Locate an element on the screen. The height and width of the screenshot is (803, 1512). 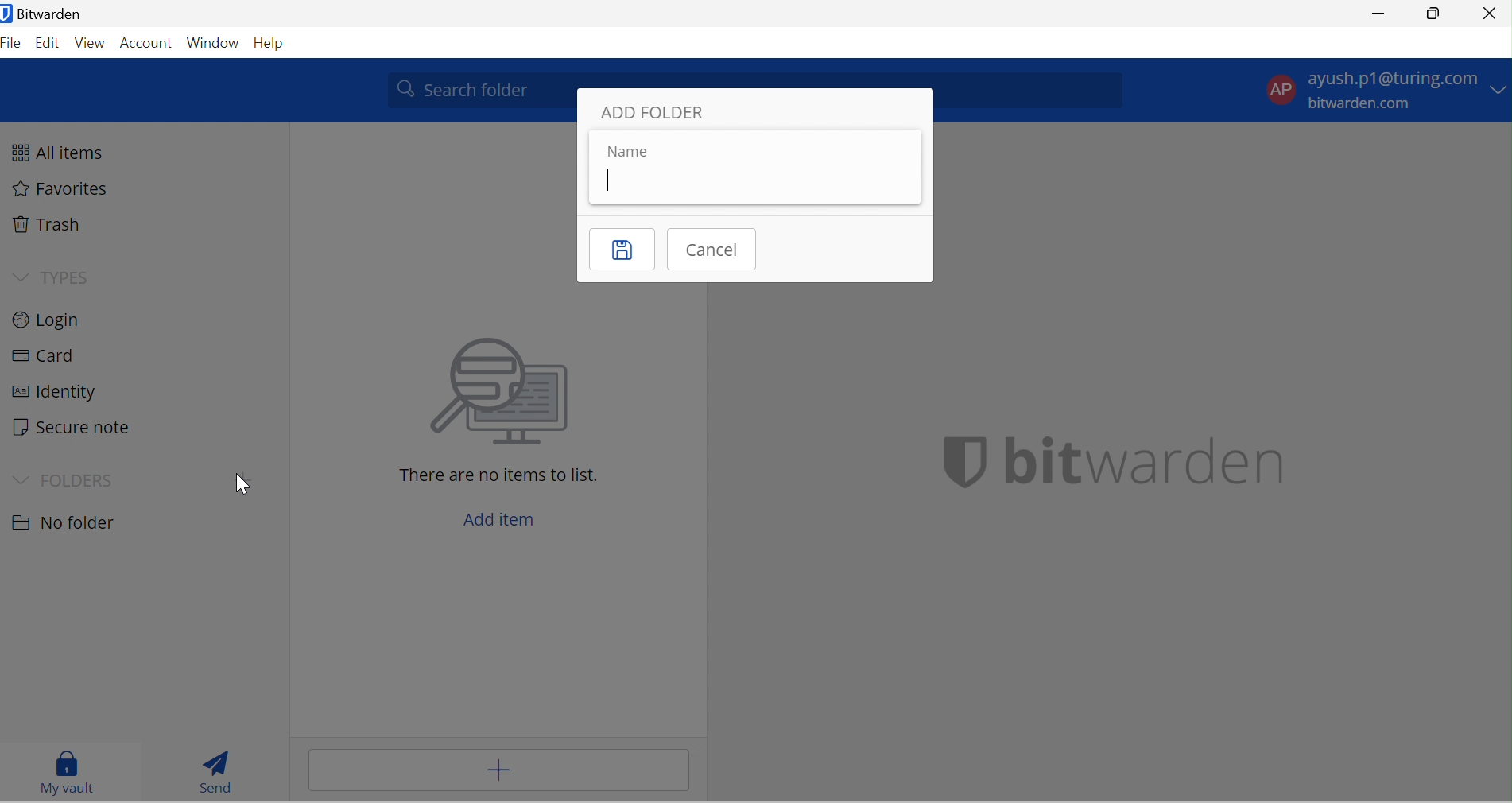
Image is located at coordinates (504, 392).